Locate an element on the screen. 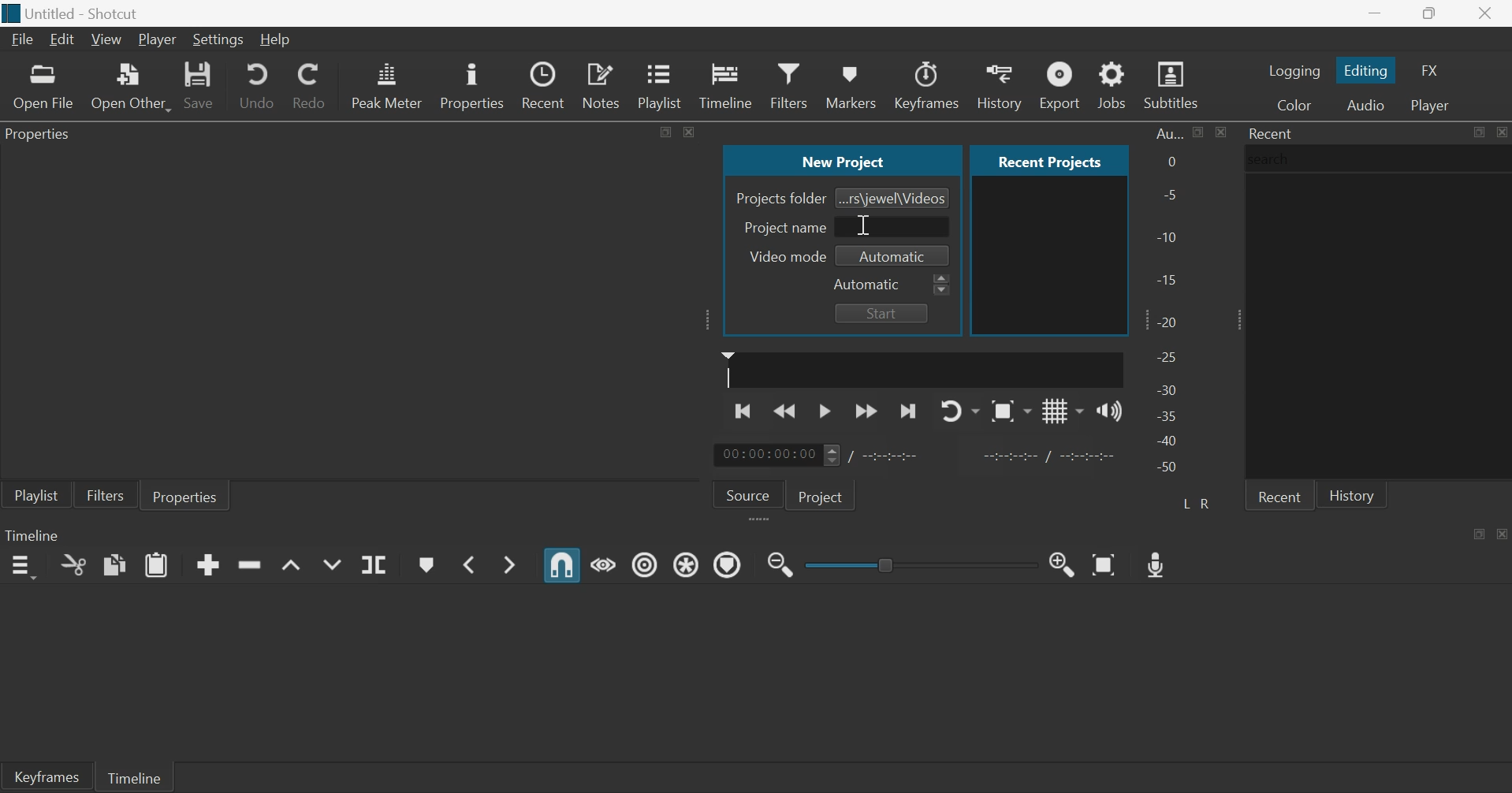  Properties is located at coordinates (185, 495).